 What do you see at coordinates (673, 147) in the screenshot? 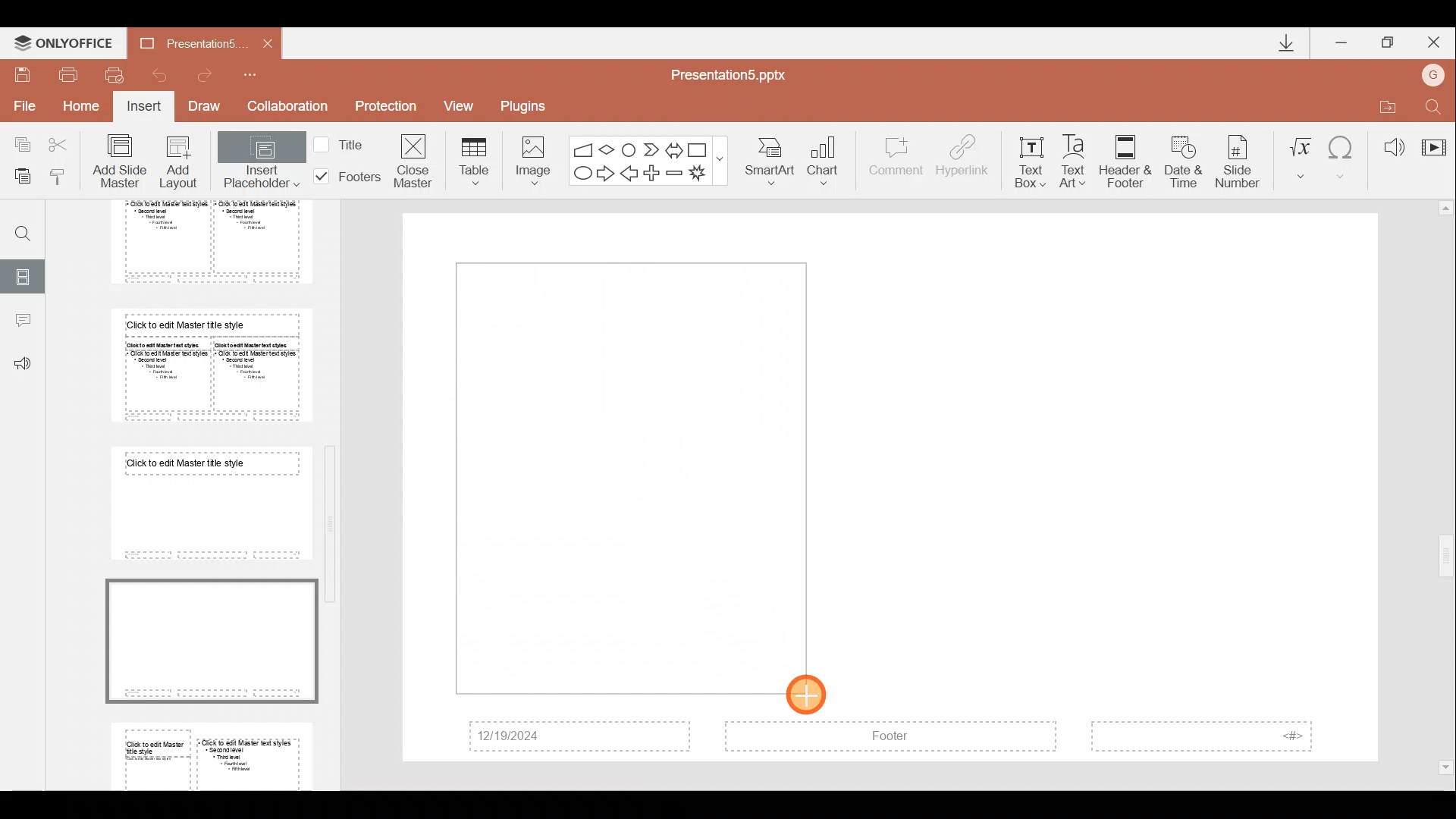
I see `Left right arrow` at bounding box center [673, 147].